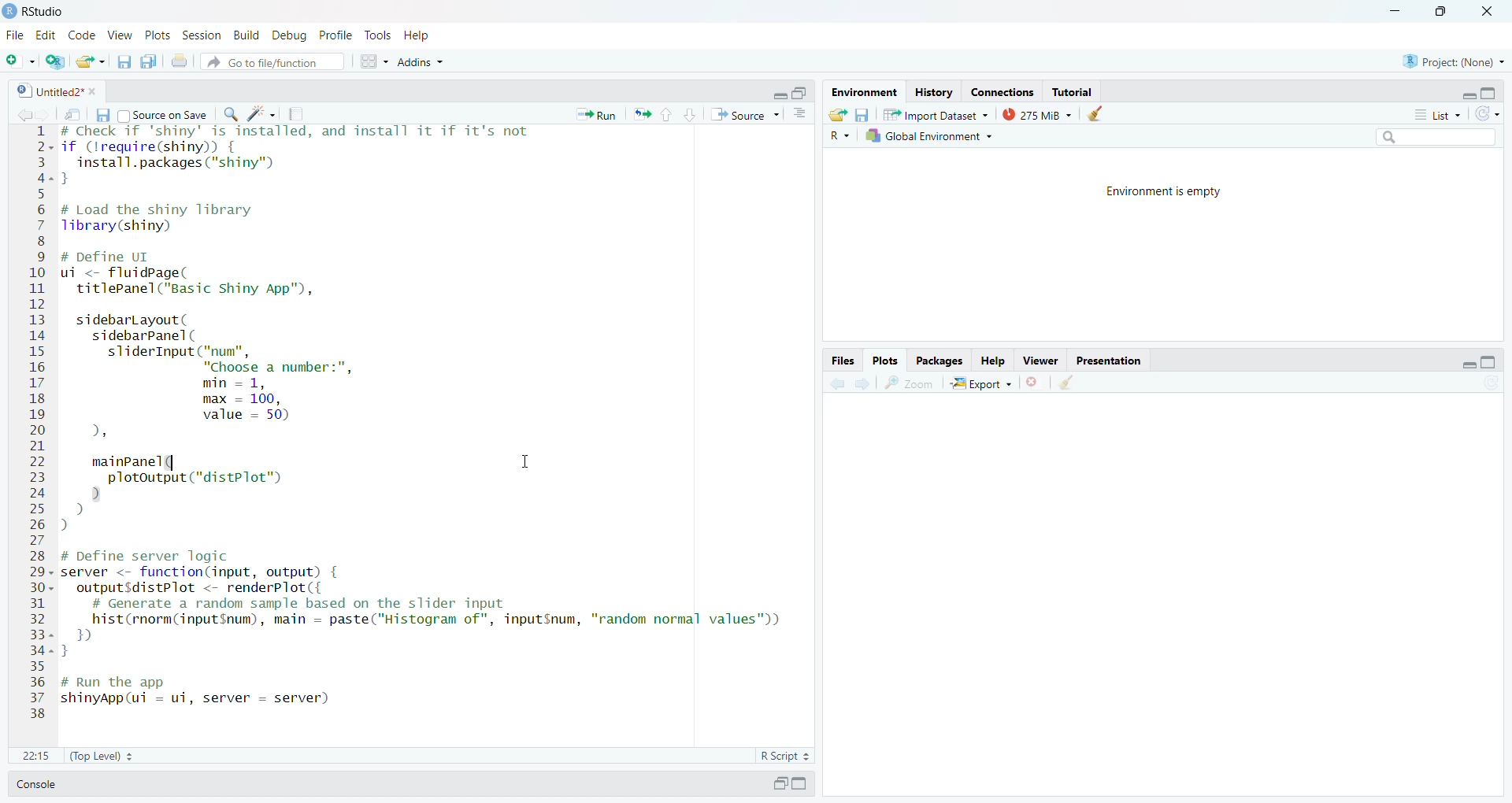 Image resolution: width=1512 pixels, height=803 pixels. Describe the element at coordinates (46, 36) in the screenshot. I see `Edit` at that location.